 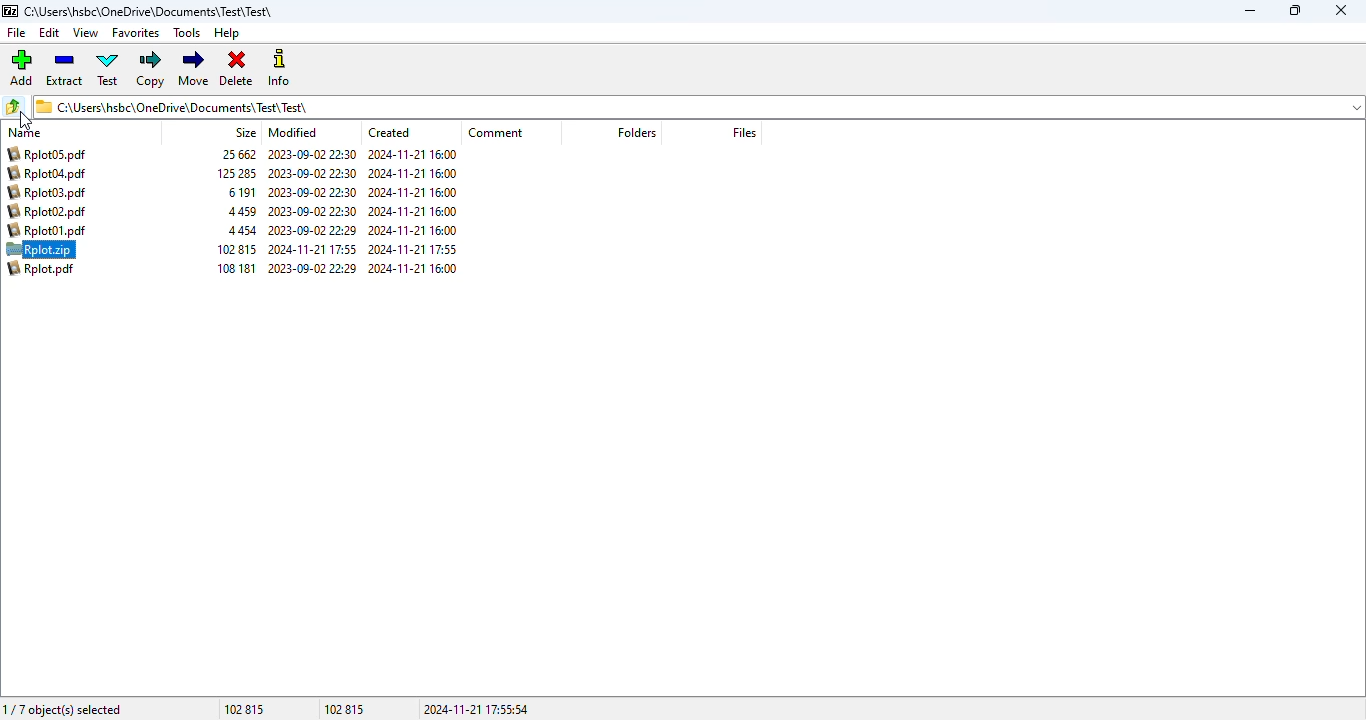 What do you see at coordinates (476, 709) in the screenshot?
I see `2024-11-21 17:55:54` at bounding box center [476, 709].